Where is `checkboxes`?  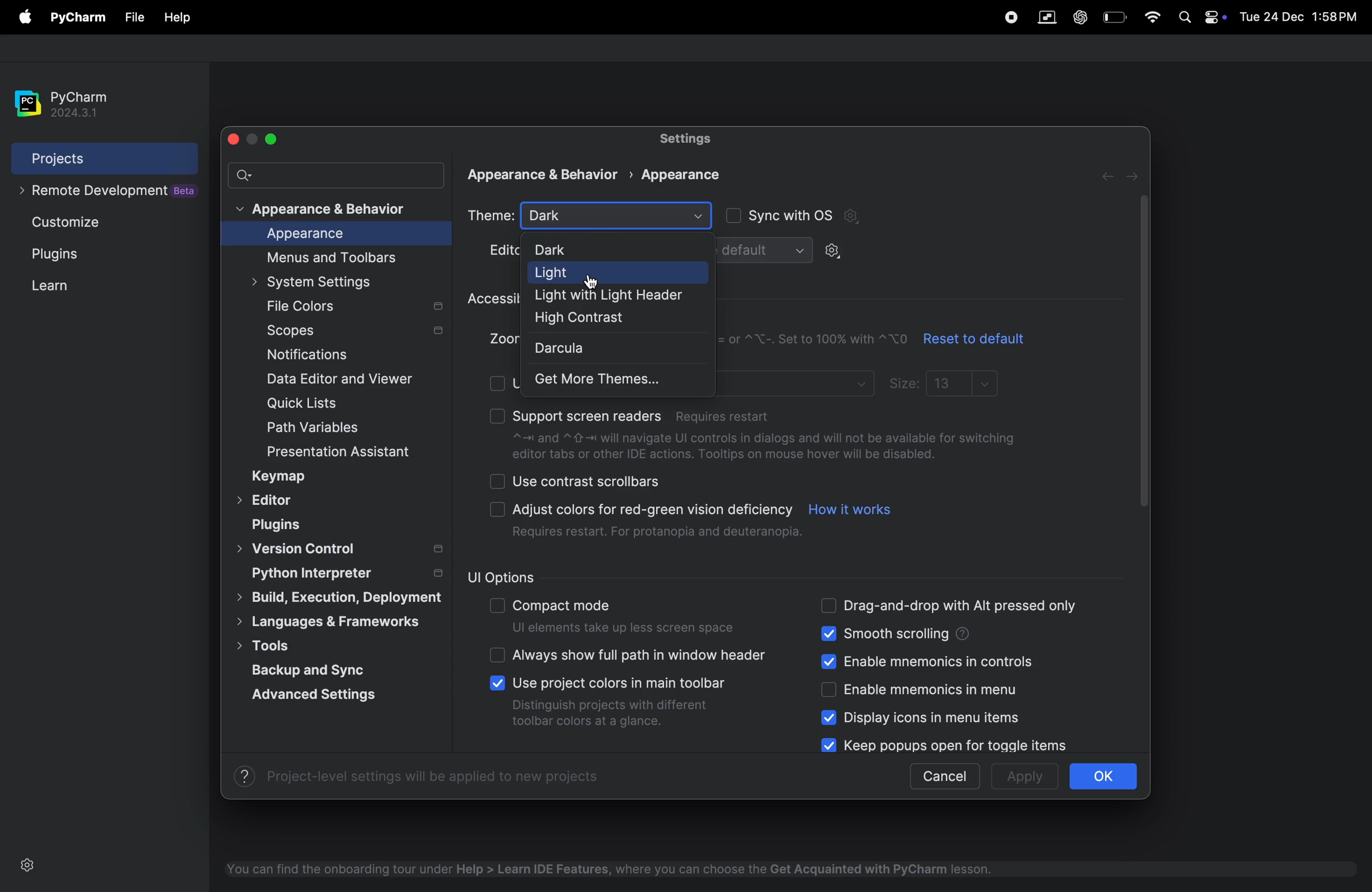
checkboxes is located at coordinates (495, 513).